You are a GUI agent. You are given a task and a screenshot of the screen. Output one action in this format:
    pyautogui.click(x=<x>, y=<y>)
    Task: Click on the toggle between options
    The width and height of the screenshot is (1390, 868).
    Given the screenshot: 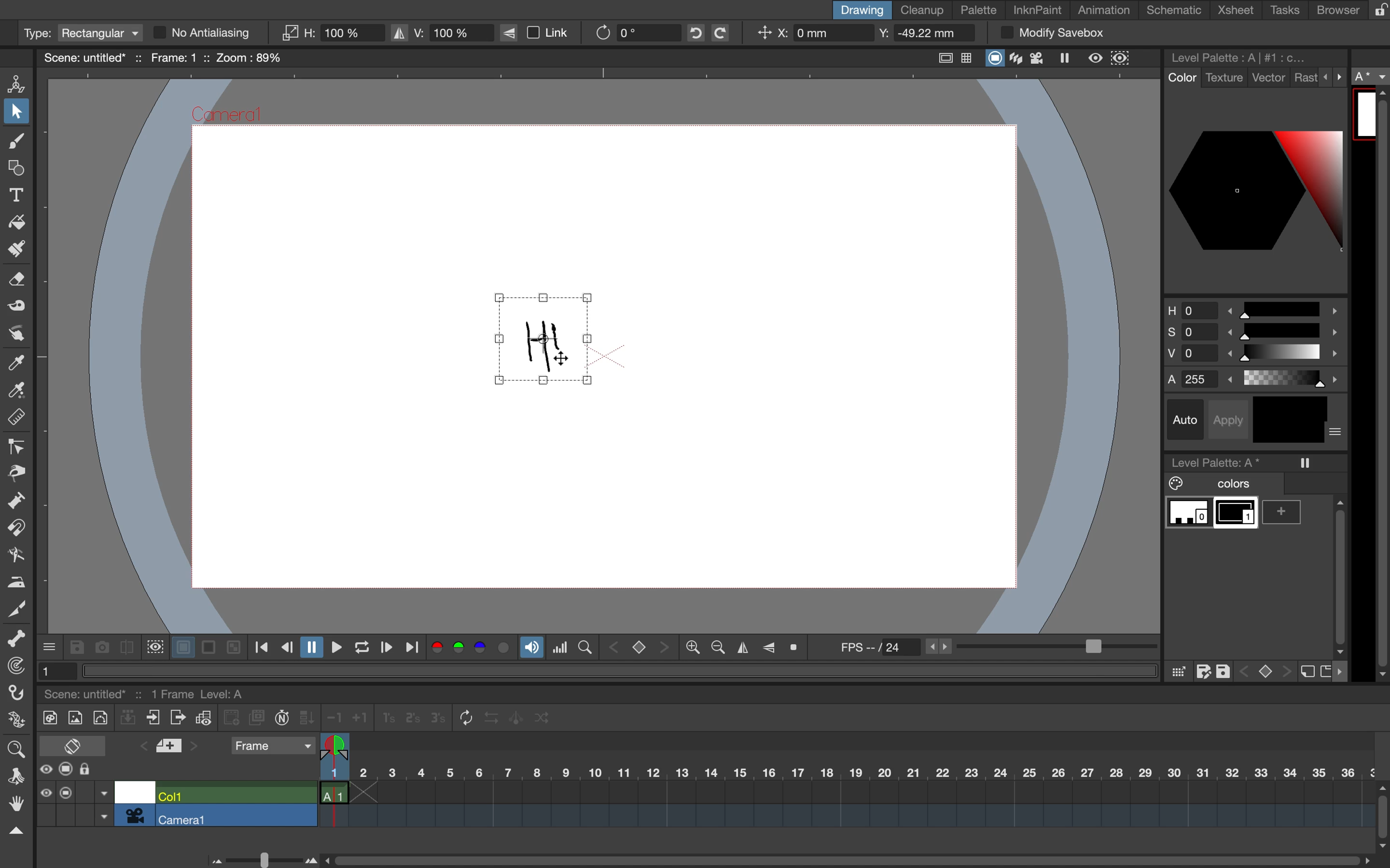 What is the action you would take?
    pyautogui.click(x=104, y=806)
    